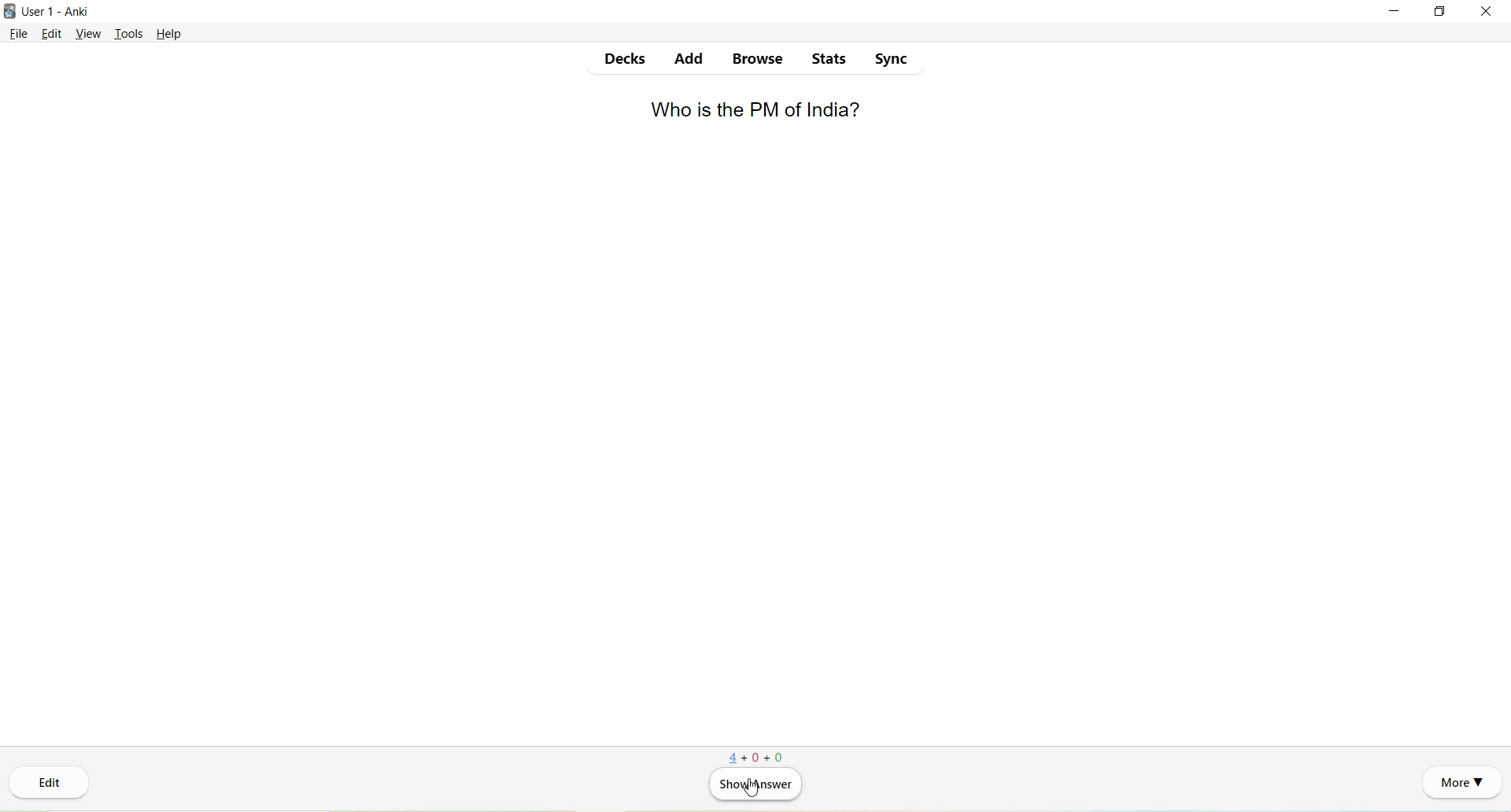 This screenshot has width=1511, height=812. What do you see at coordinates (829, 61) in the screenshot?
I see `Stats` at bounding box center [829, 61].